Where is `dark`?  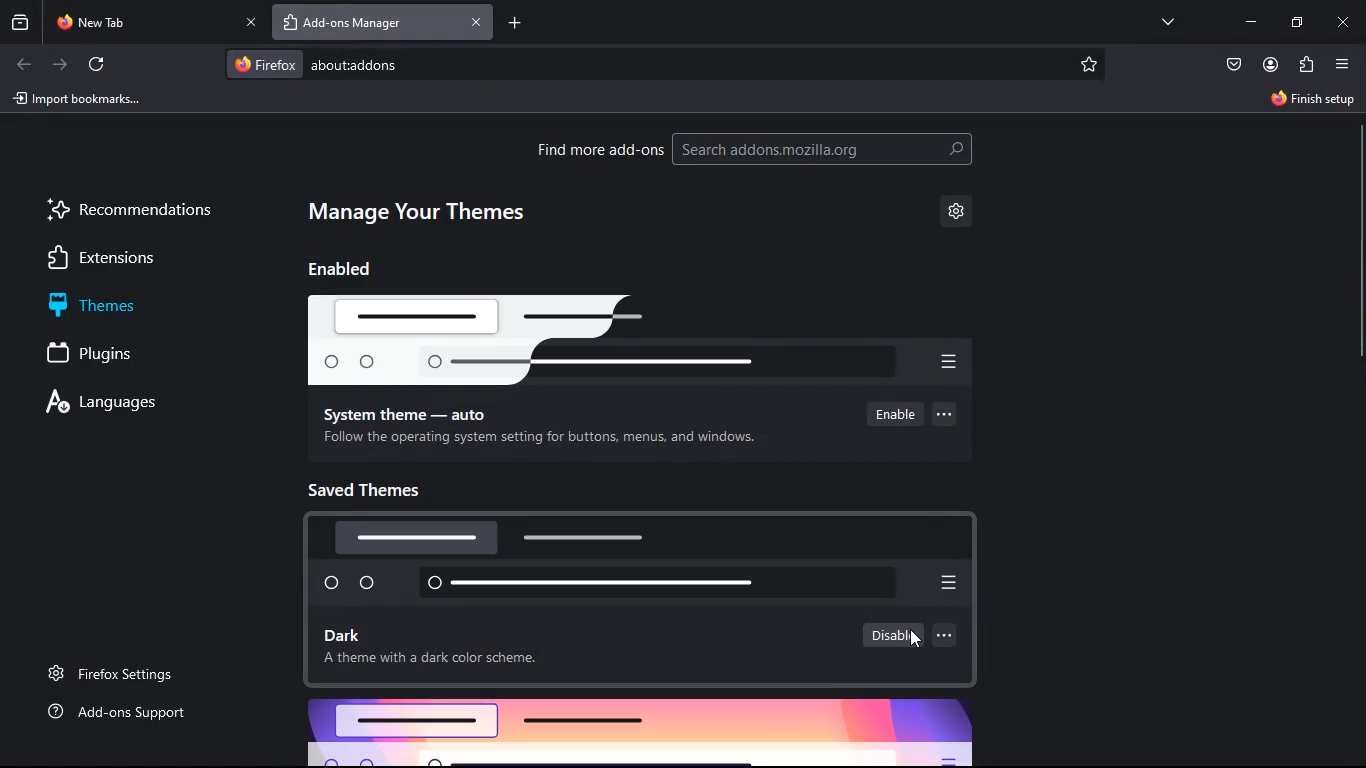 dark is located at coordinates (351, 635).